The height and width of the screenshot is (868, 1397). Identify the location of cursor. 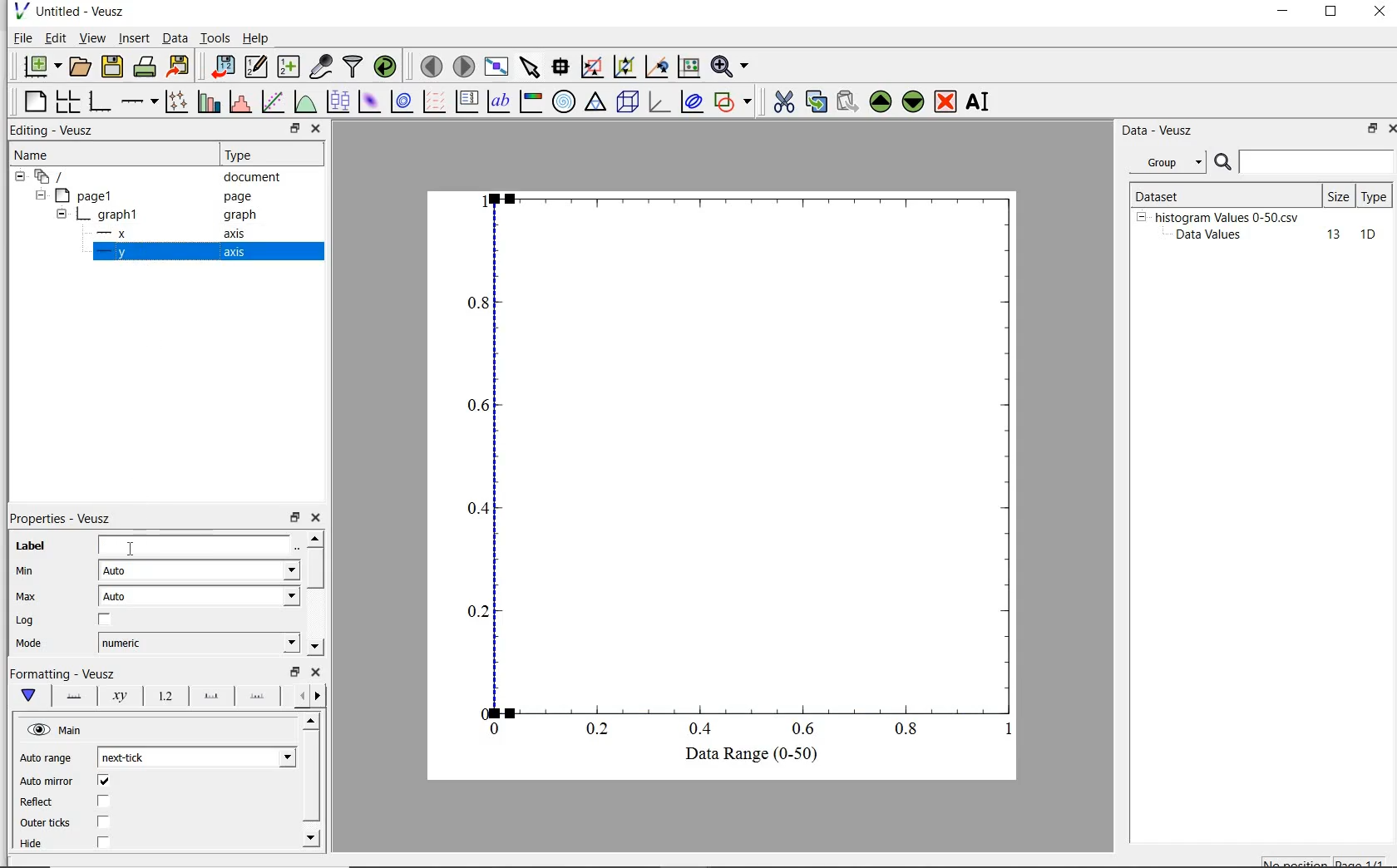
(131, 549).